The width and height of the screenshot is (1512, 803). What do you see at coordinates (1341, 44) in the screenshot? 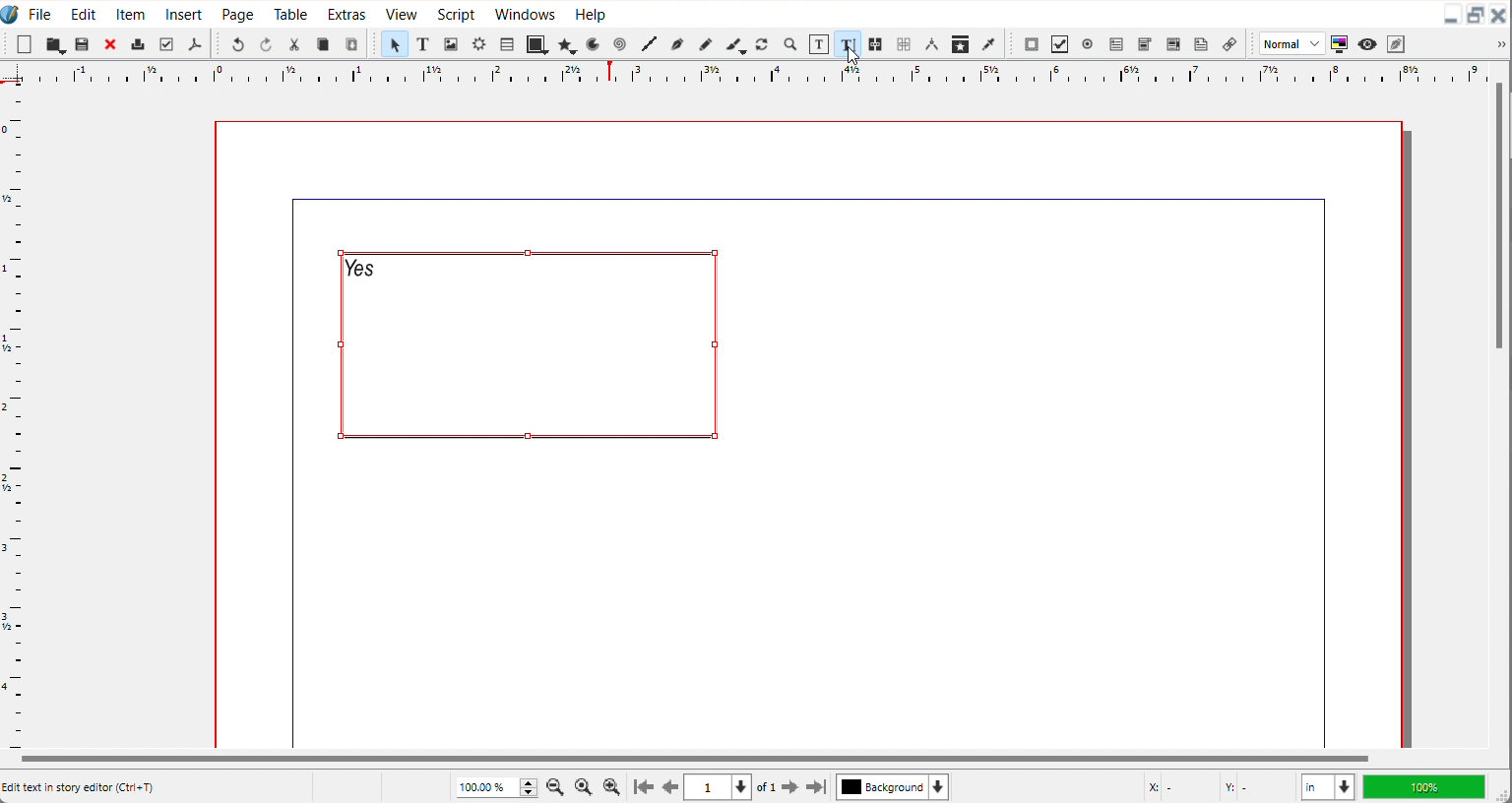
I see `Toggle color` at bounding box center [1341, 44].